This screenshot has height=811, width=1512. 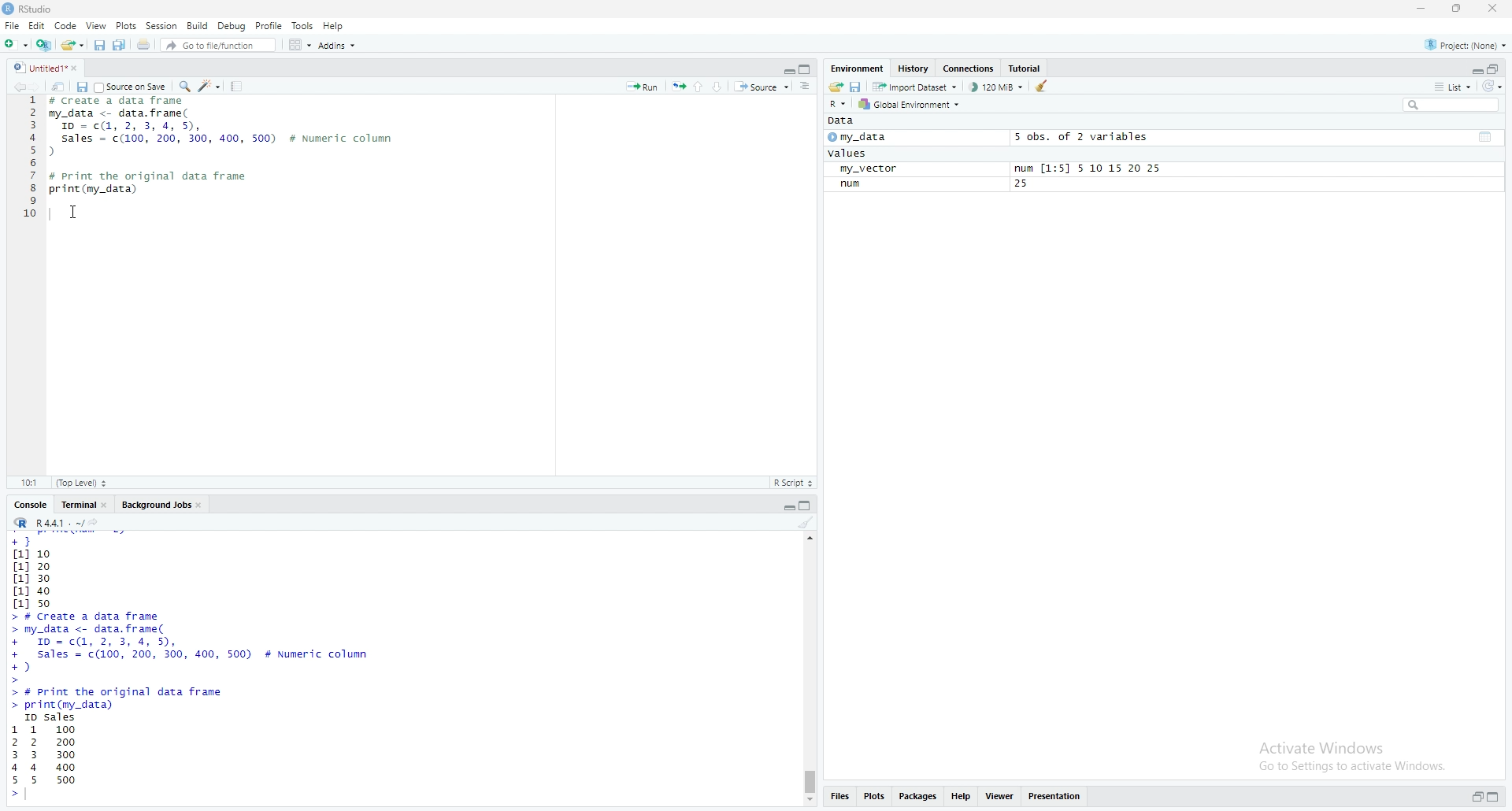 I want to click on num, so click(x=853, y=185).